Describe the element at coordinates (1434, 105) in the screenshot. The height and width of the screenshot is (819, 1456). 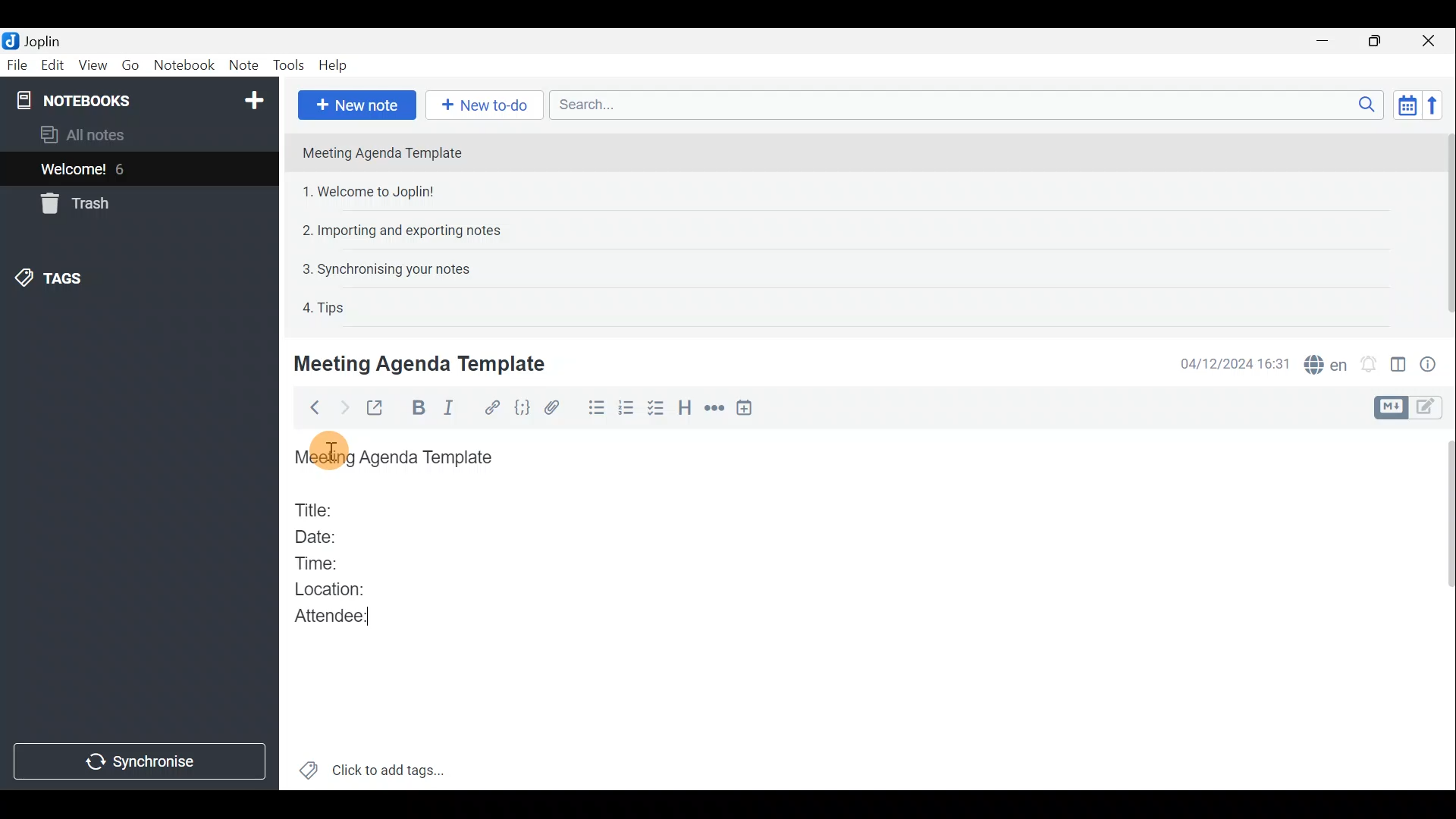
I see `Reverse sort order` at that location.